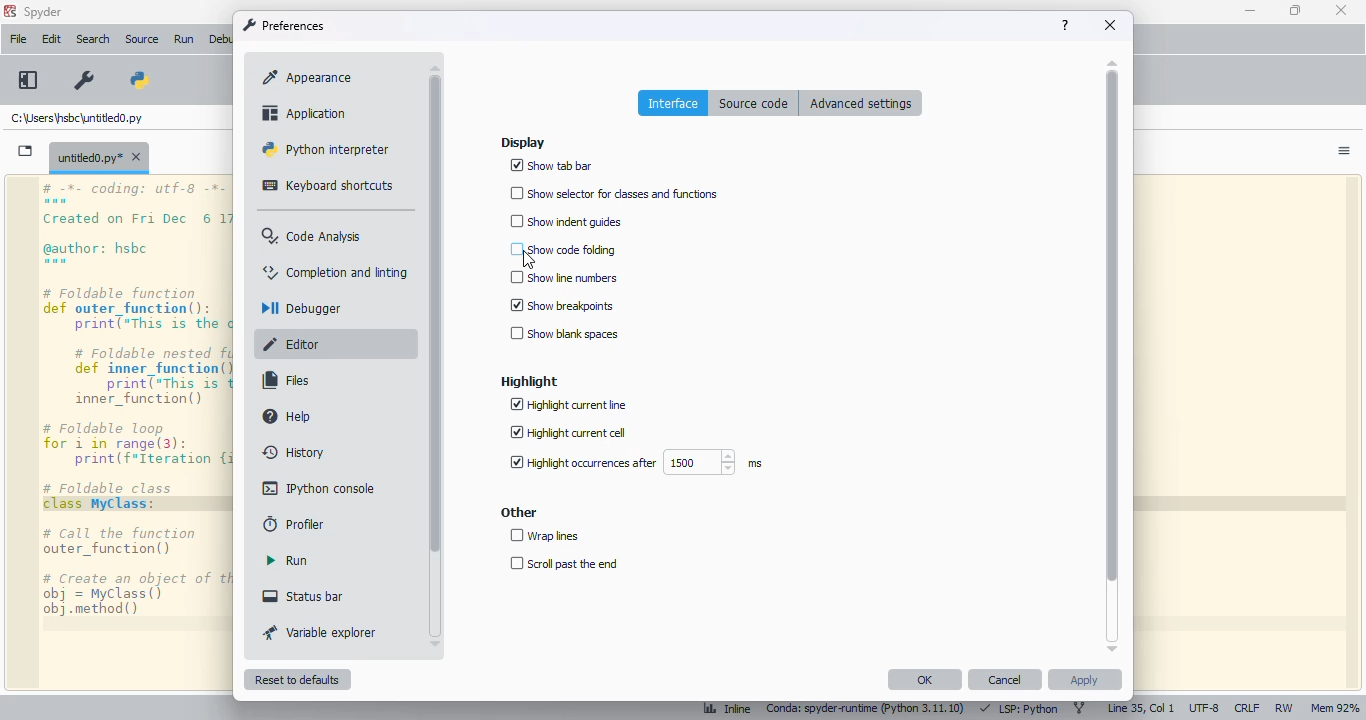 This screenshot has height=720, width=1366. I want to click on RW, so click(1283, 708).